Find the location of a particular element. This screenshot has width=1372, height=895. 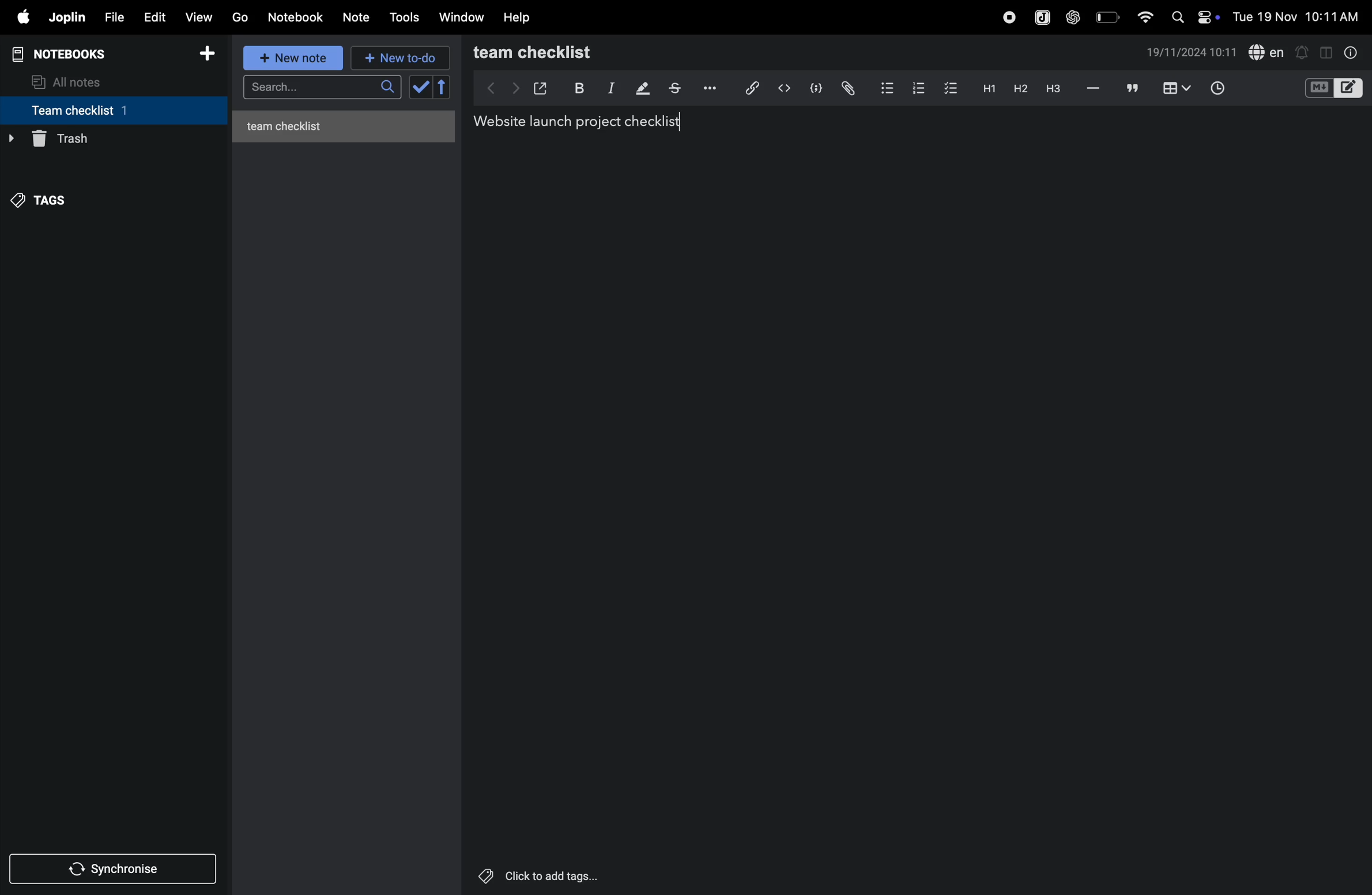

bold is located at coordinates (578, 87).